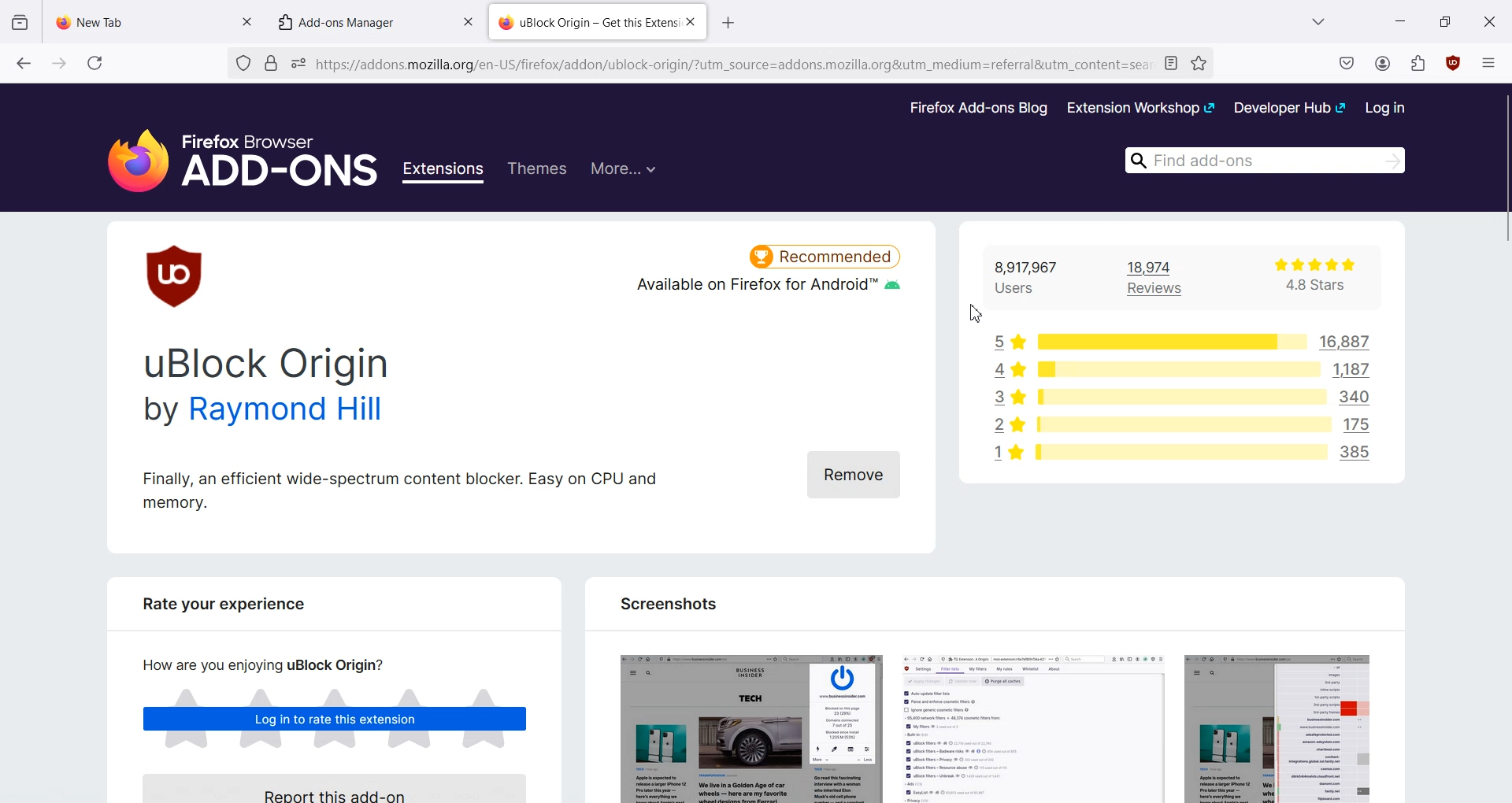 The image size is (1512, 803). Describe the element at coordinates (1503, 442) in the screenshot. I see `Vertical scroll bar` at that location.